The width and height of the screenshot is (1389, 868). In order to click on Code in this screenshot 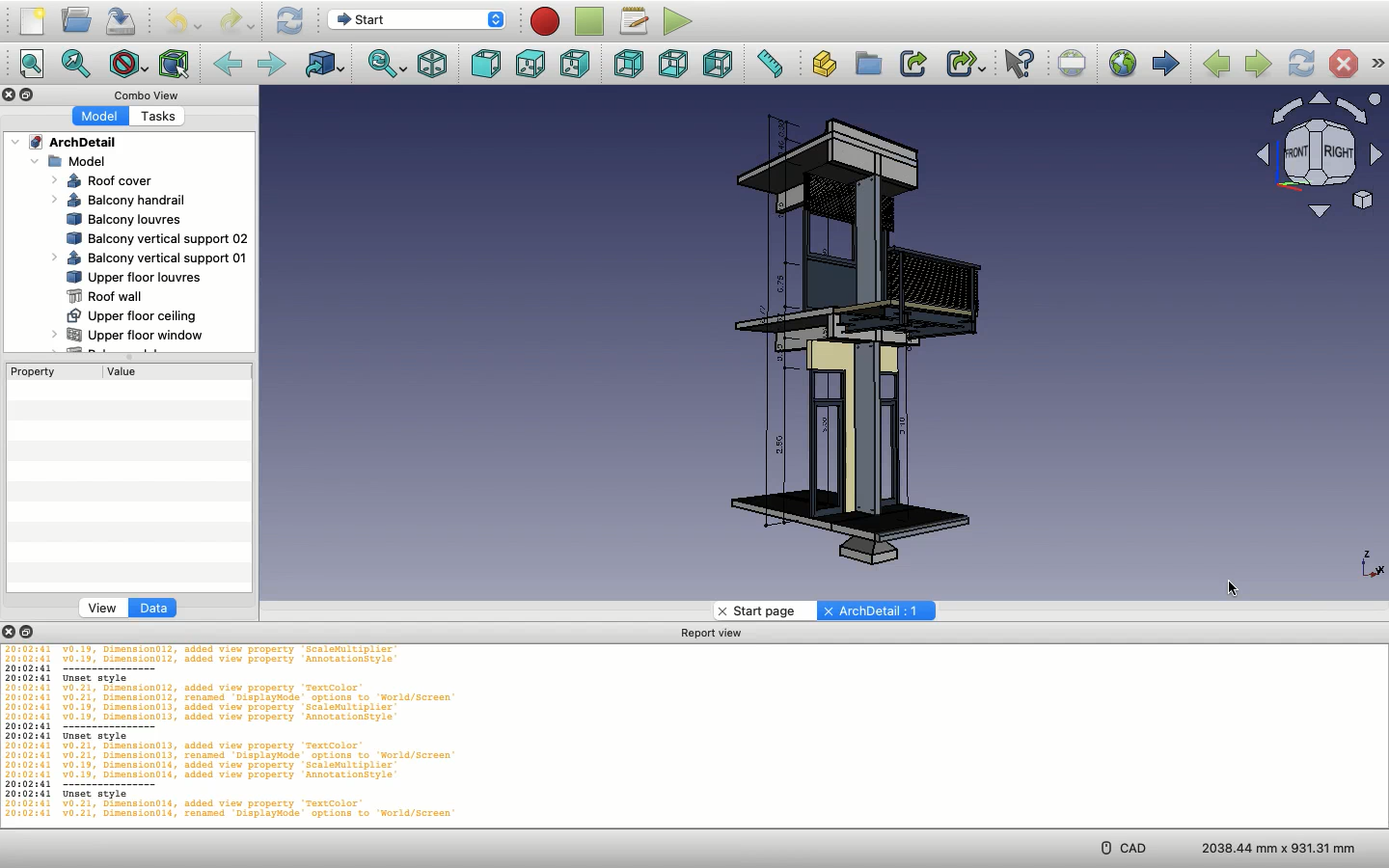, I will do `click(259, 731)`.